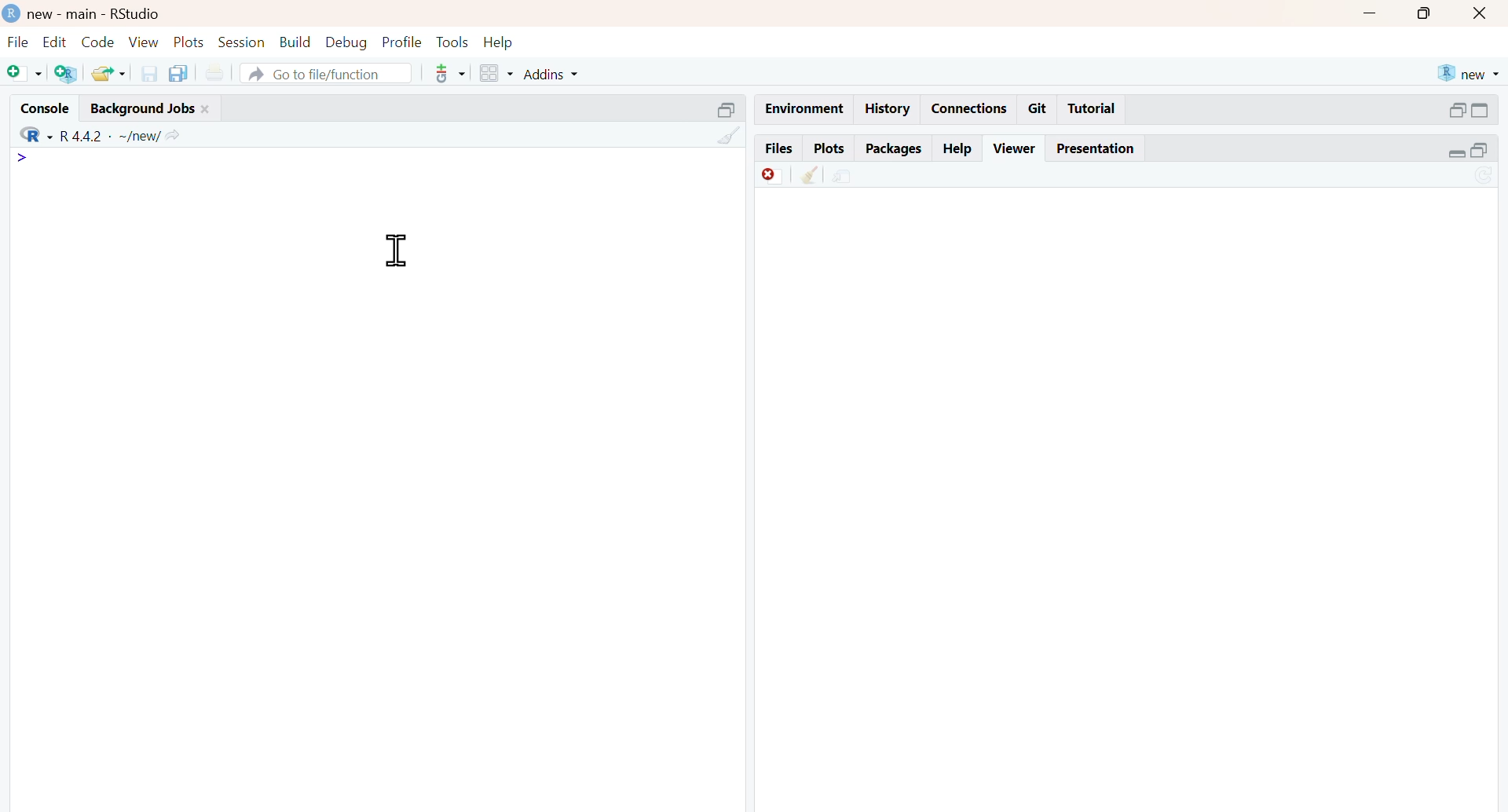 The image size is (1508, 812). What do you see at coordinates (1096, 148) in the screenshot?
I see `Presentation` at bounding box center [1096, 148].